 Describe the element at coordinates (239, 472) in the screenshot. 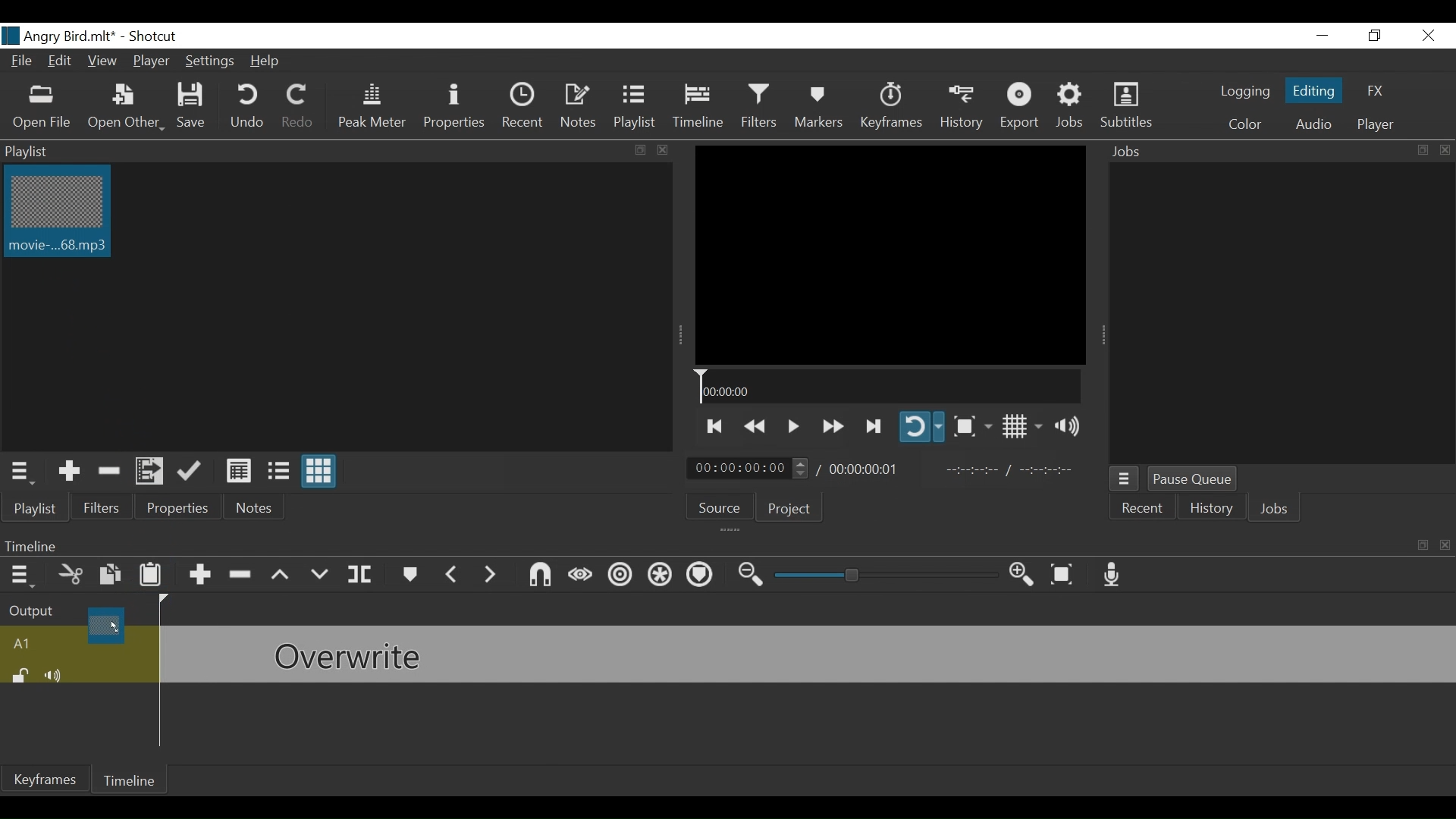

I see `View as Details` at that location.